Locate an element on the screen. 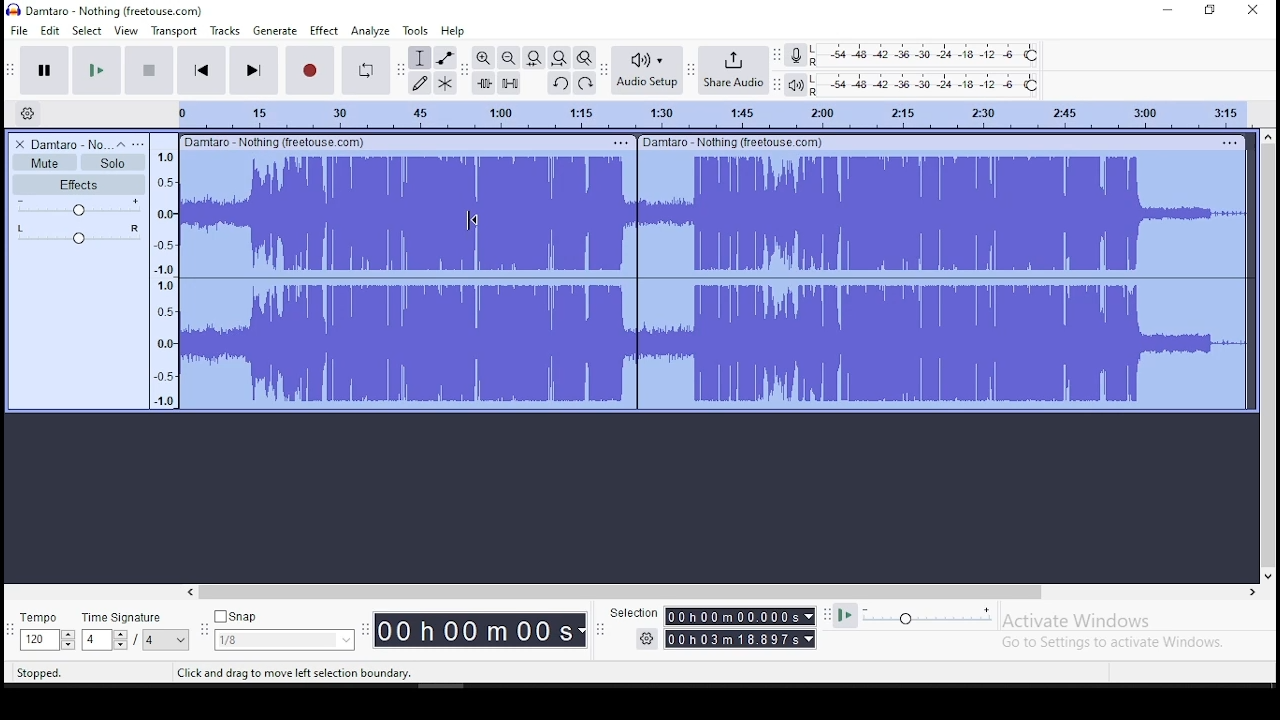  zoom toggle is located at coordinates (584, 58).